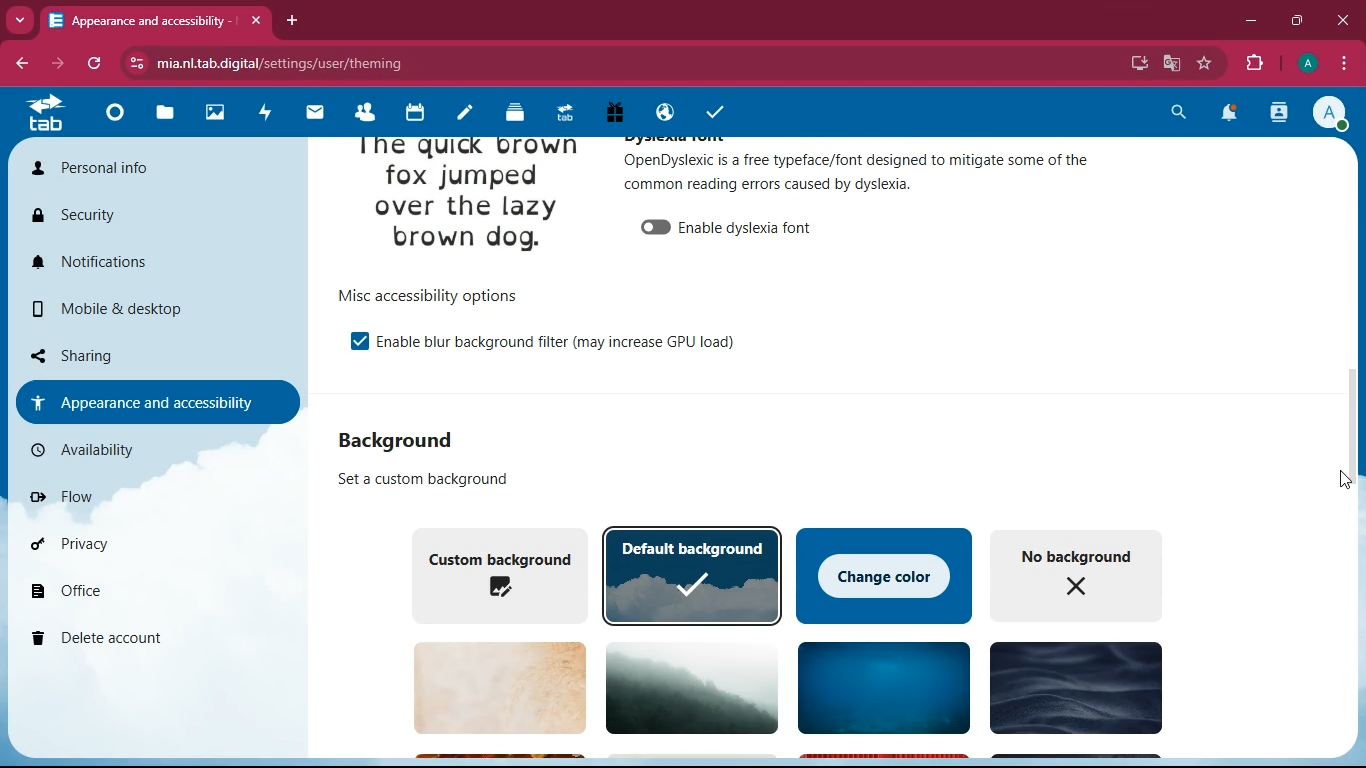 The height and width of the screenshot is (768, 1366). Describe the element at coordinates (859, 171) in the screenshot. I see `description` at that location.